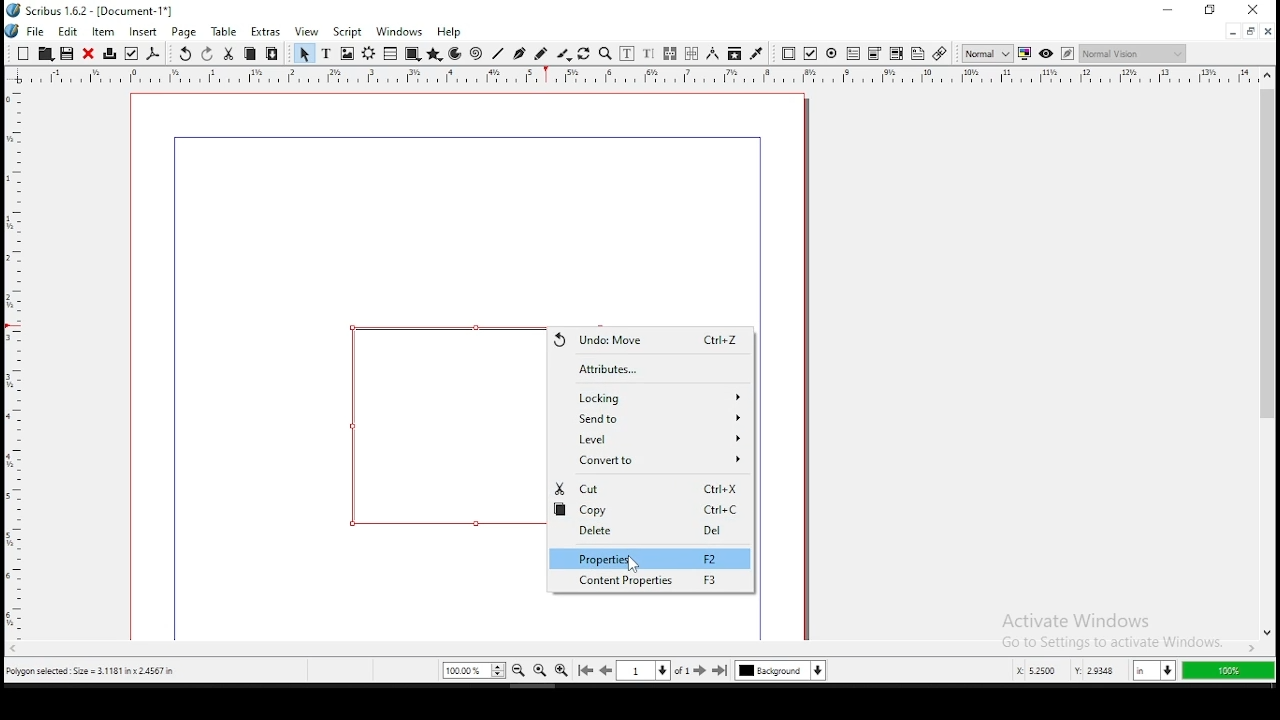  What do you see at coordinates (808, 370) in the screenshot?
I see `scrollbar` at bounding box center [808, 370].